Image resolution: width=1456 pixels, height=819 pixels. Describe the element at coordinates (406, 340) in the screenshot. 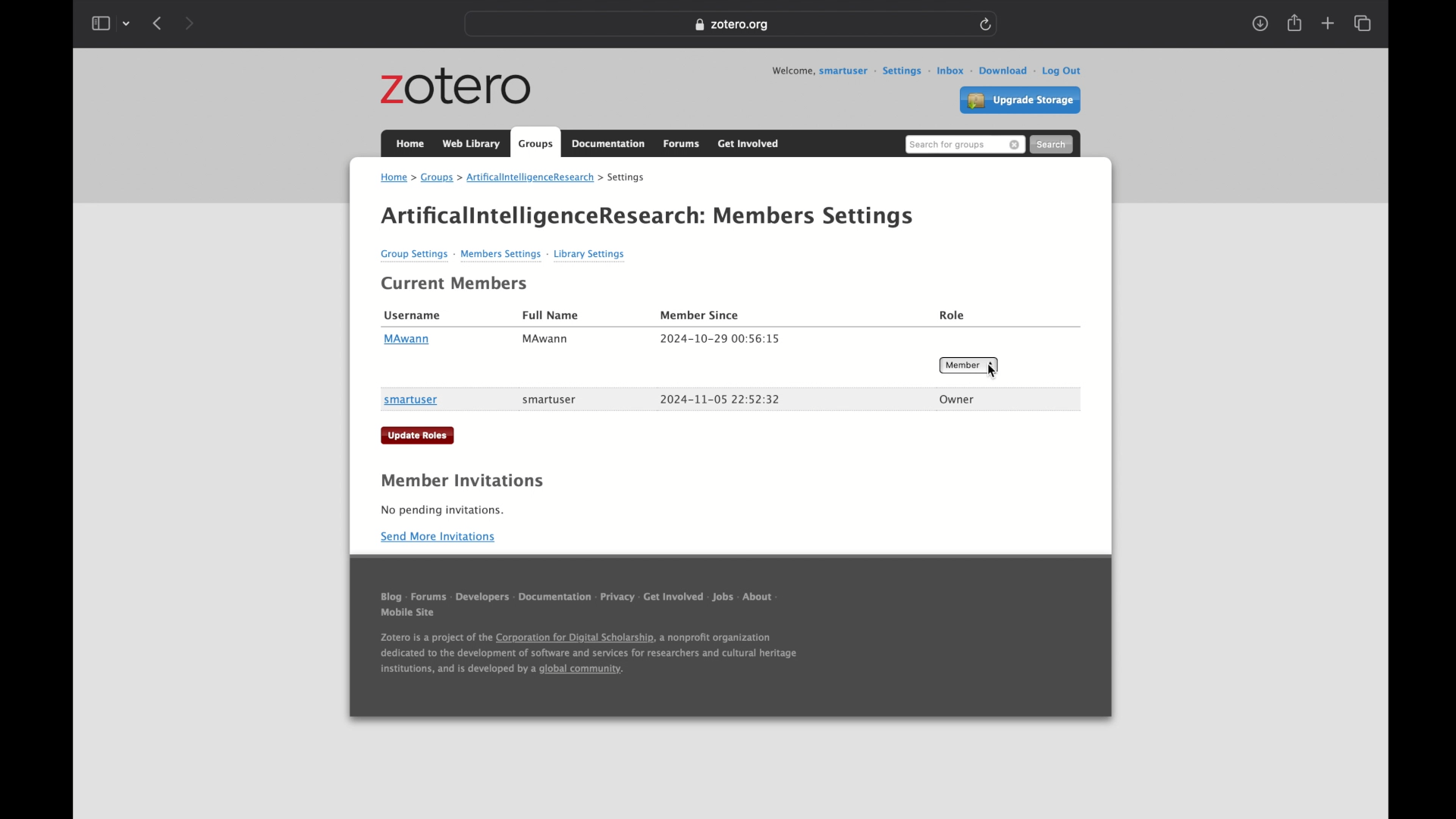

I see `MAwann` at that location.